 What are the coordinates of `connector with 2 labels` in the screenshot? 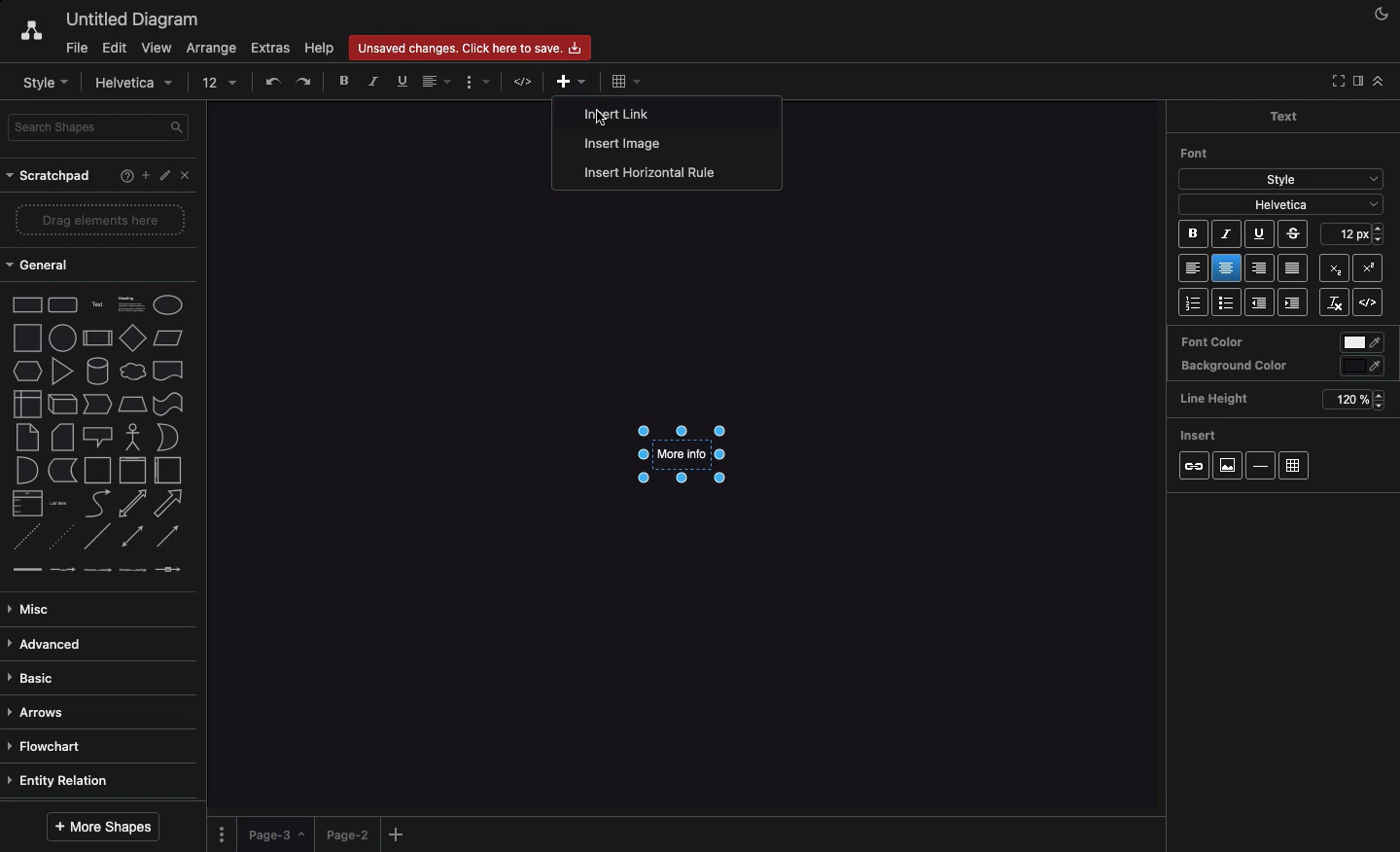 It's located at (97, 570).